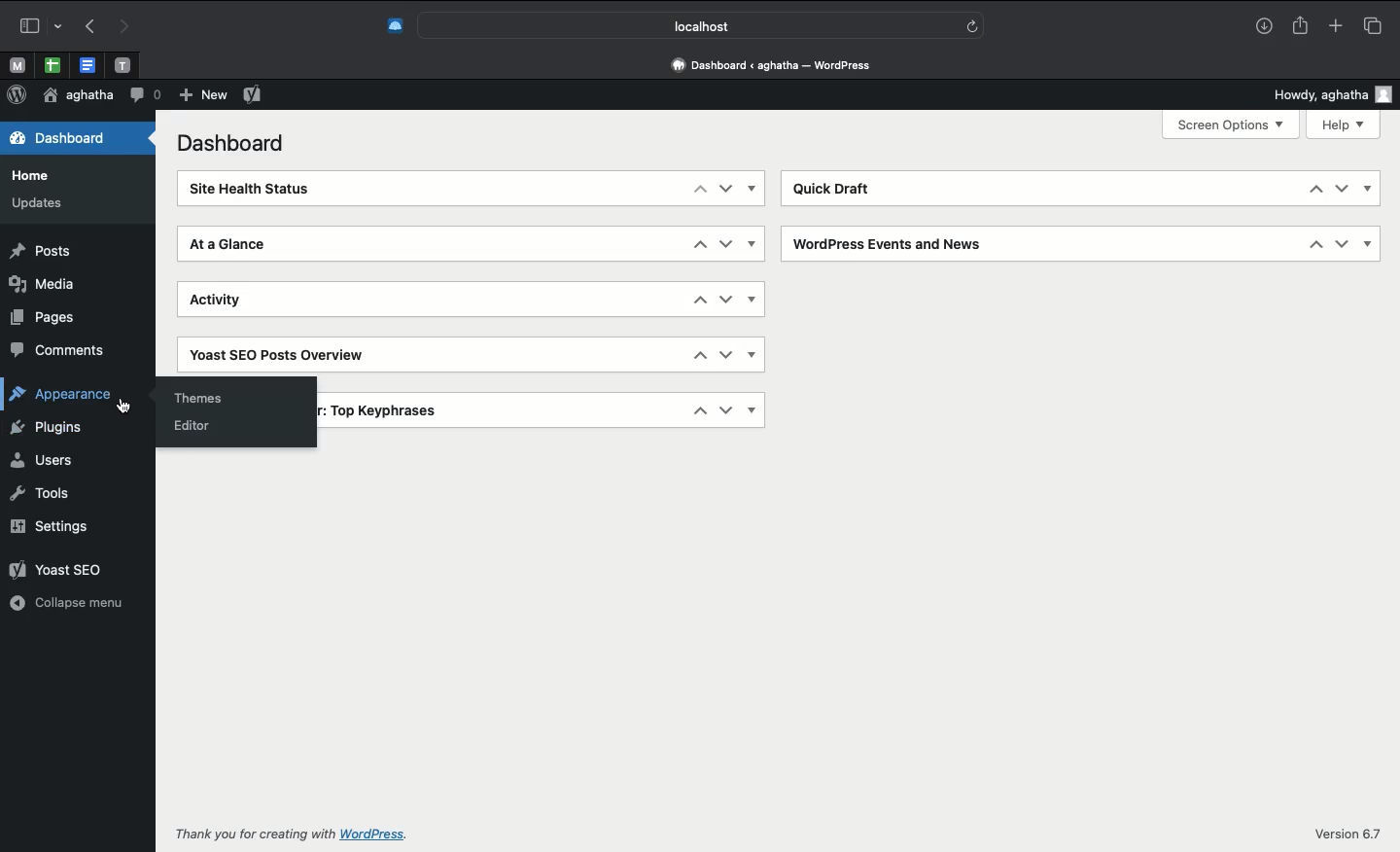  I want to click on Settings, so click(49, 526).